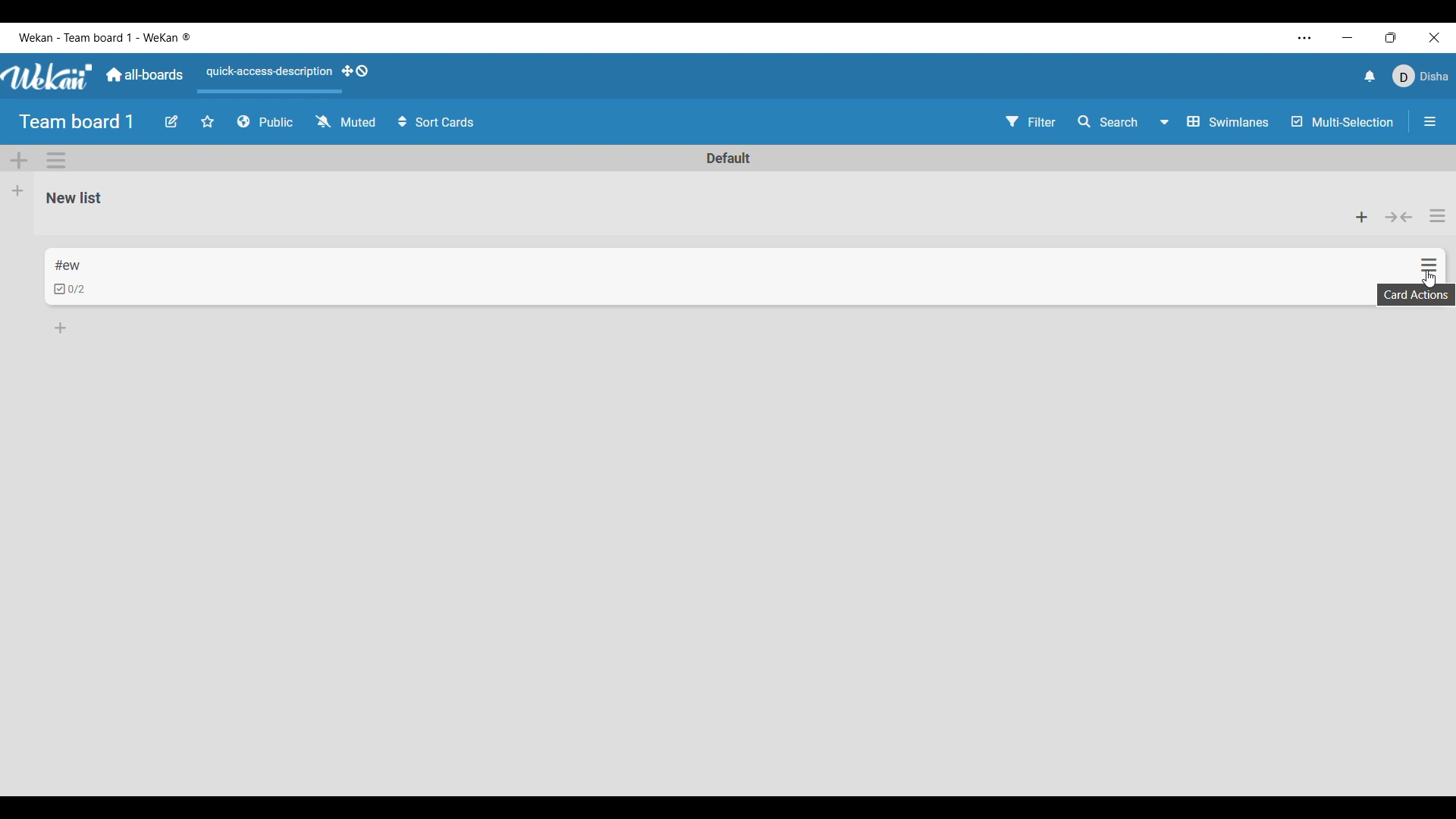 Image resolution: width=1456 pixels, height=819 pixels. What do you see at coordinates (1305, 39) in the screenshot?
I see `More settings` at bounding box center [1305, 39].